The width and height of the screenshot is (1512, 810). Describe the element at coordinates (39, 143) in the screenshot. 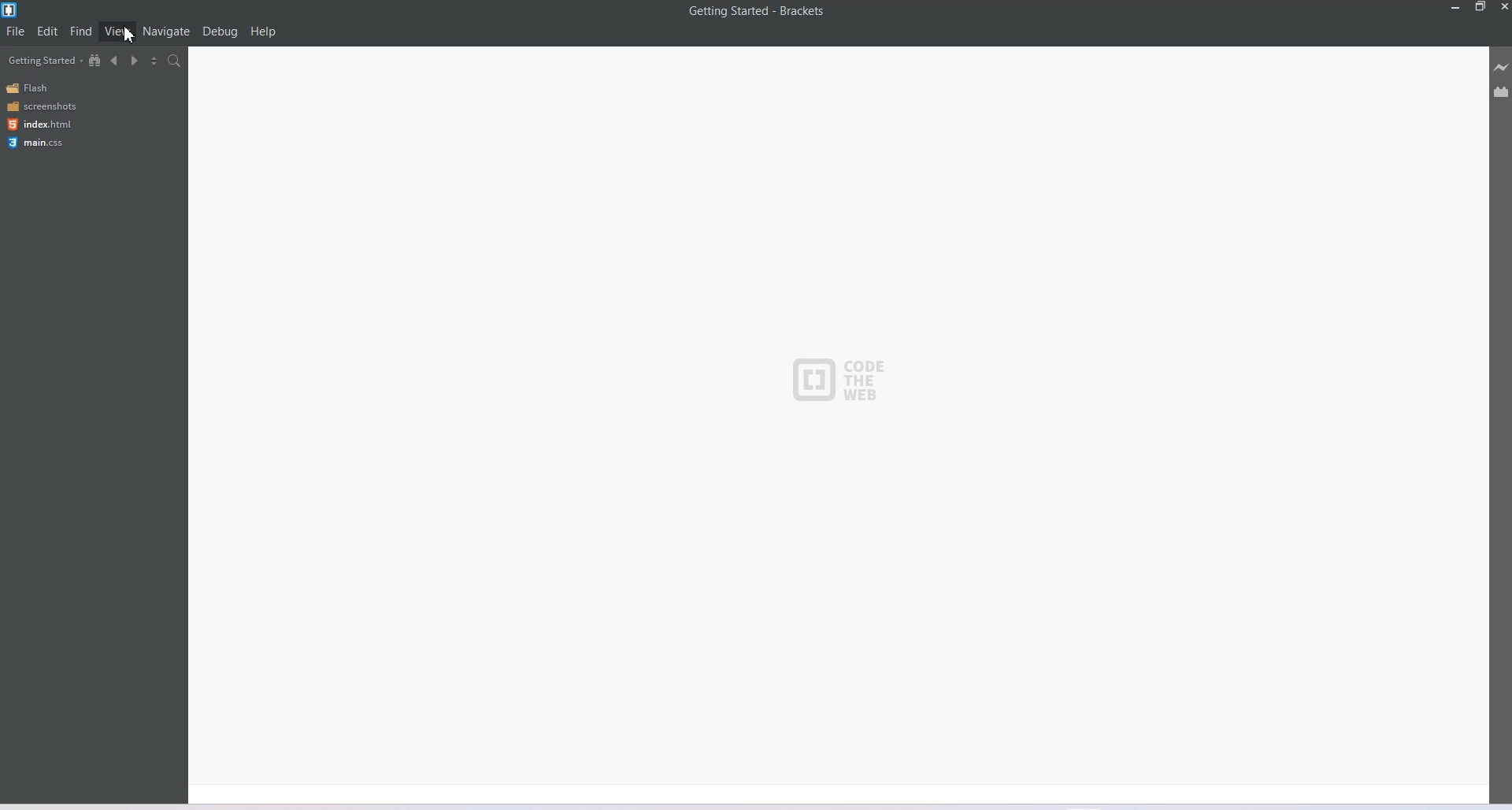

I see `main.css` at that location.